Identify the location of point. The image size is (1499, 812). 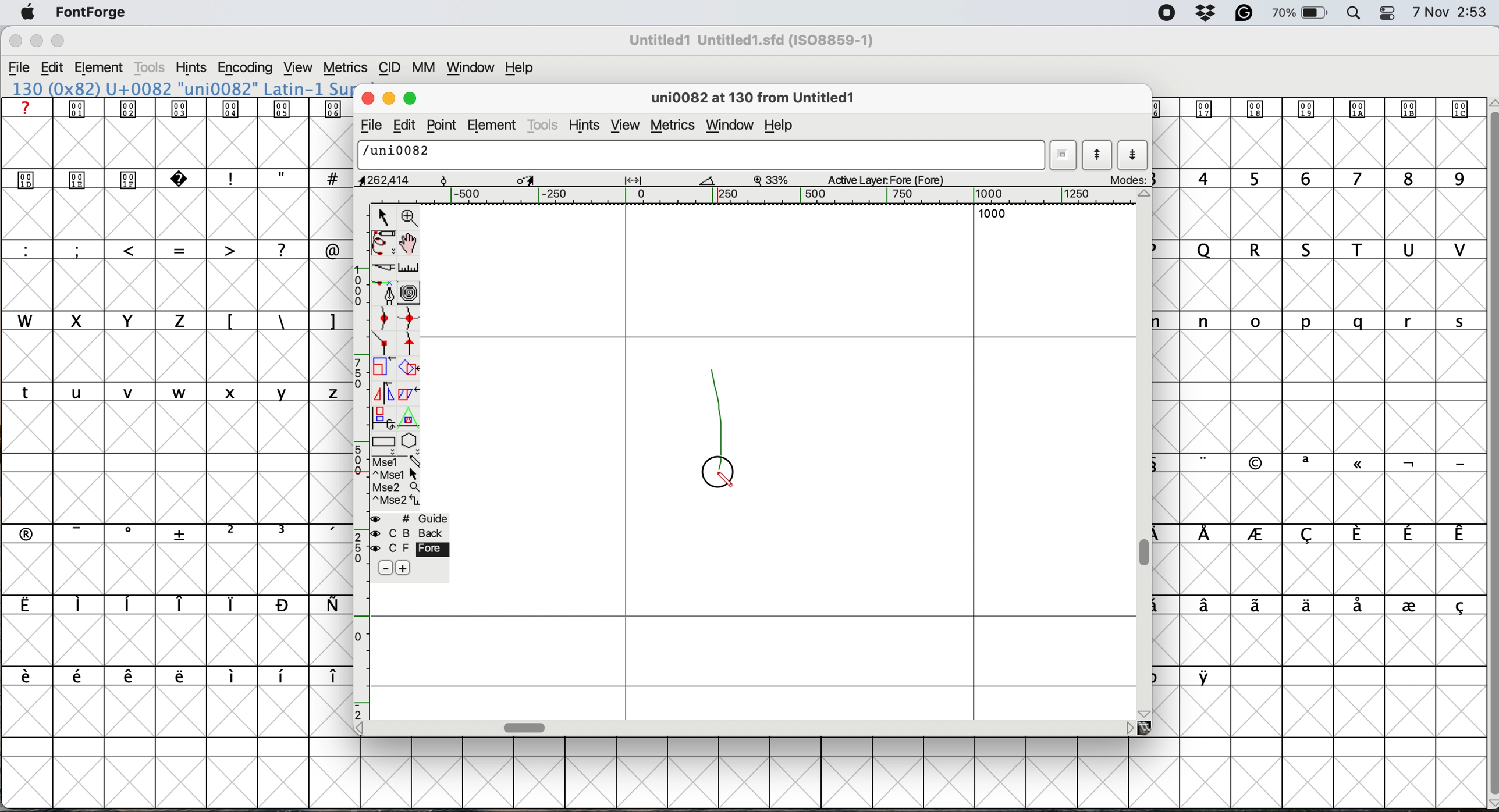
(445, 125).